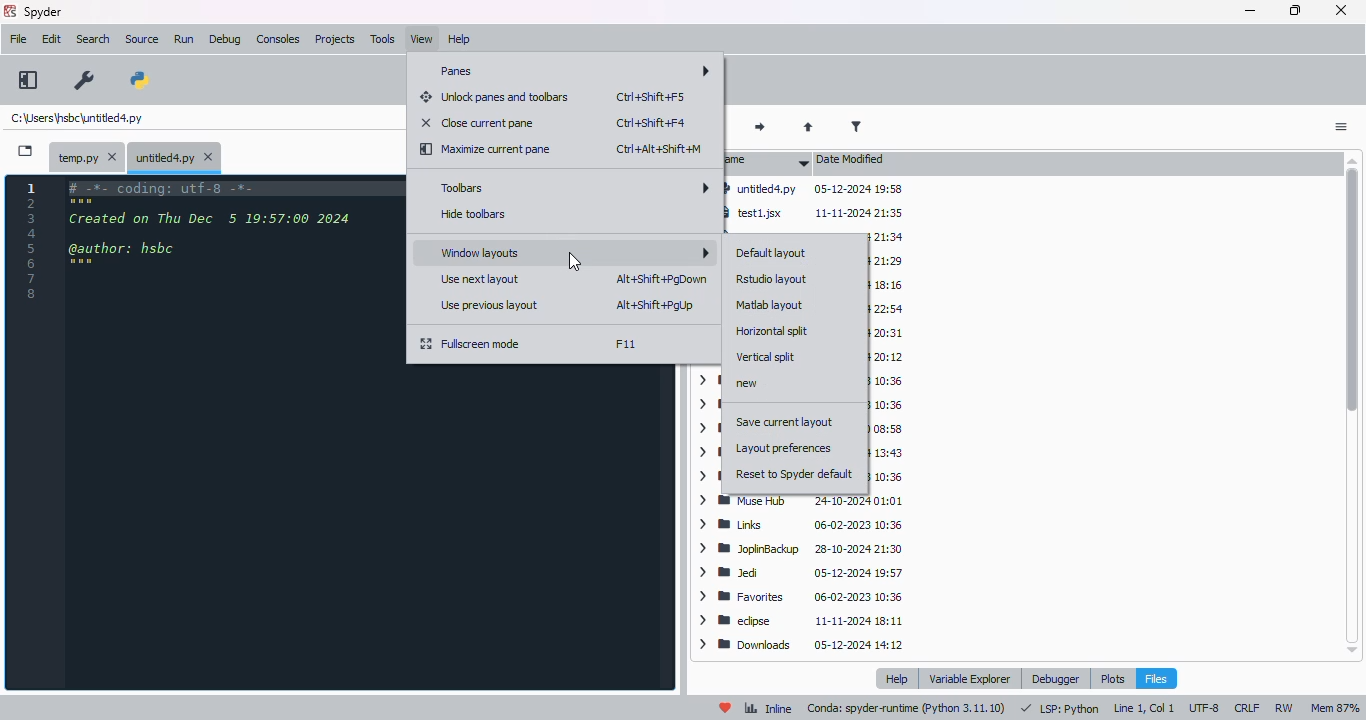 This screenshot has height=720, width=1366. Describe the element at coordinates (655, 305) in the screenshot. I see `shortcut for use previous layout` at that location.